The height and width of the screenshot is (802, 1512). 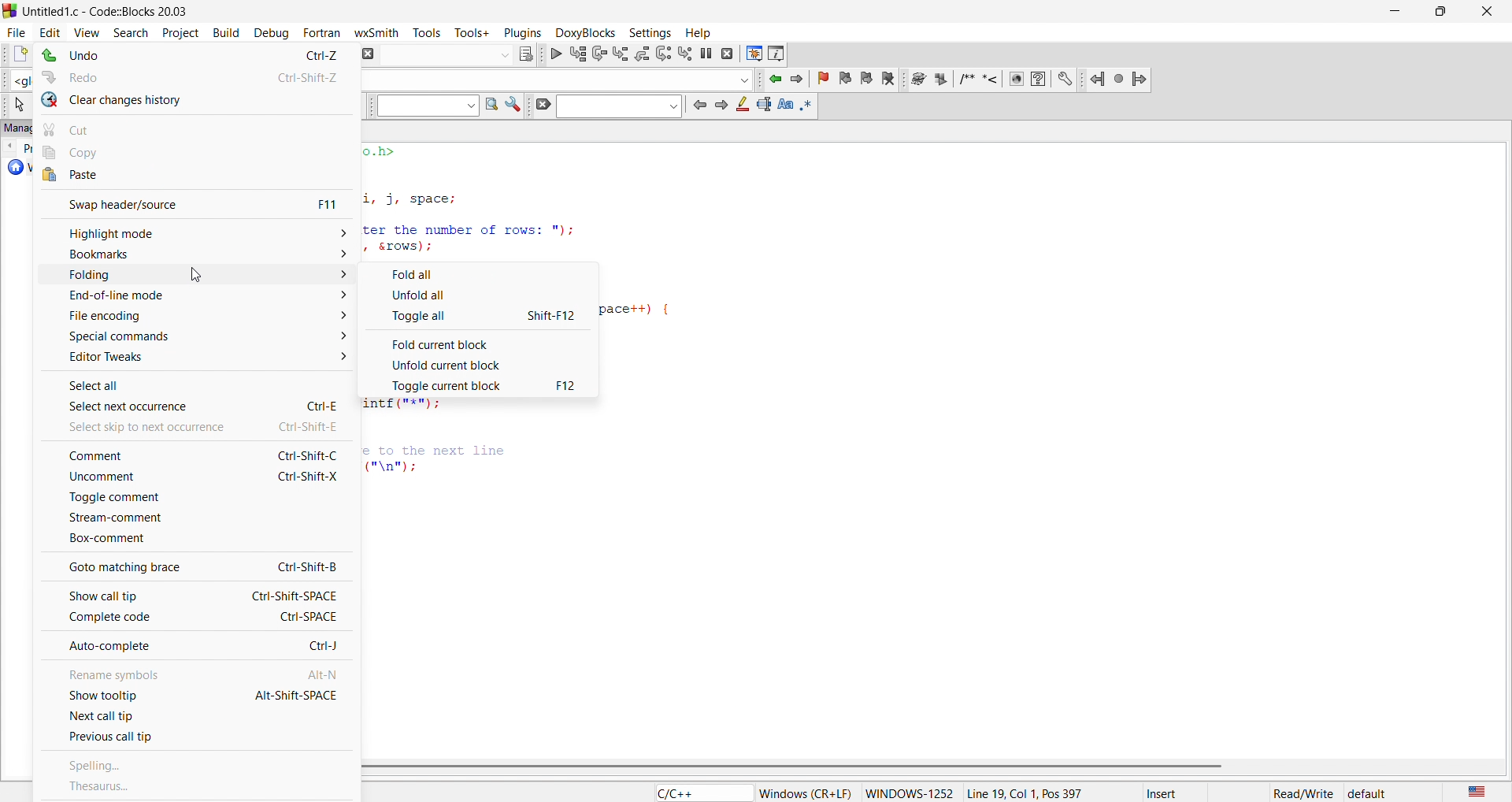 What do you see at coordinates (195, 276) in the screenshot?
I see `folding` at bounding box center [195, 276].